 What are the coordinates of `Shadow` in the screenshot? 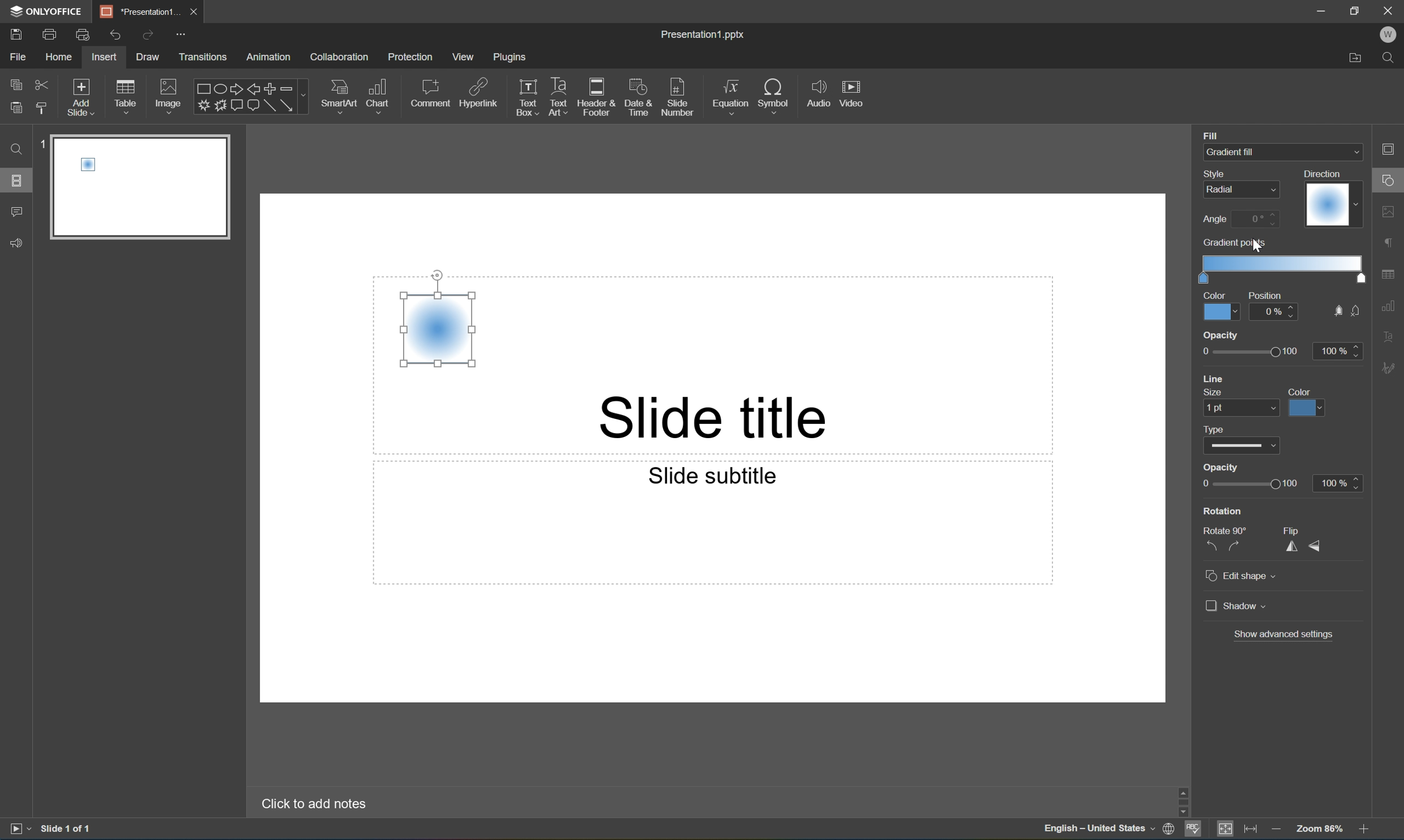 It's located at (1236, 607).